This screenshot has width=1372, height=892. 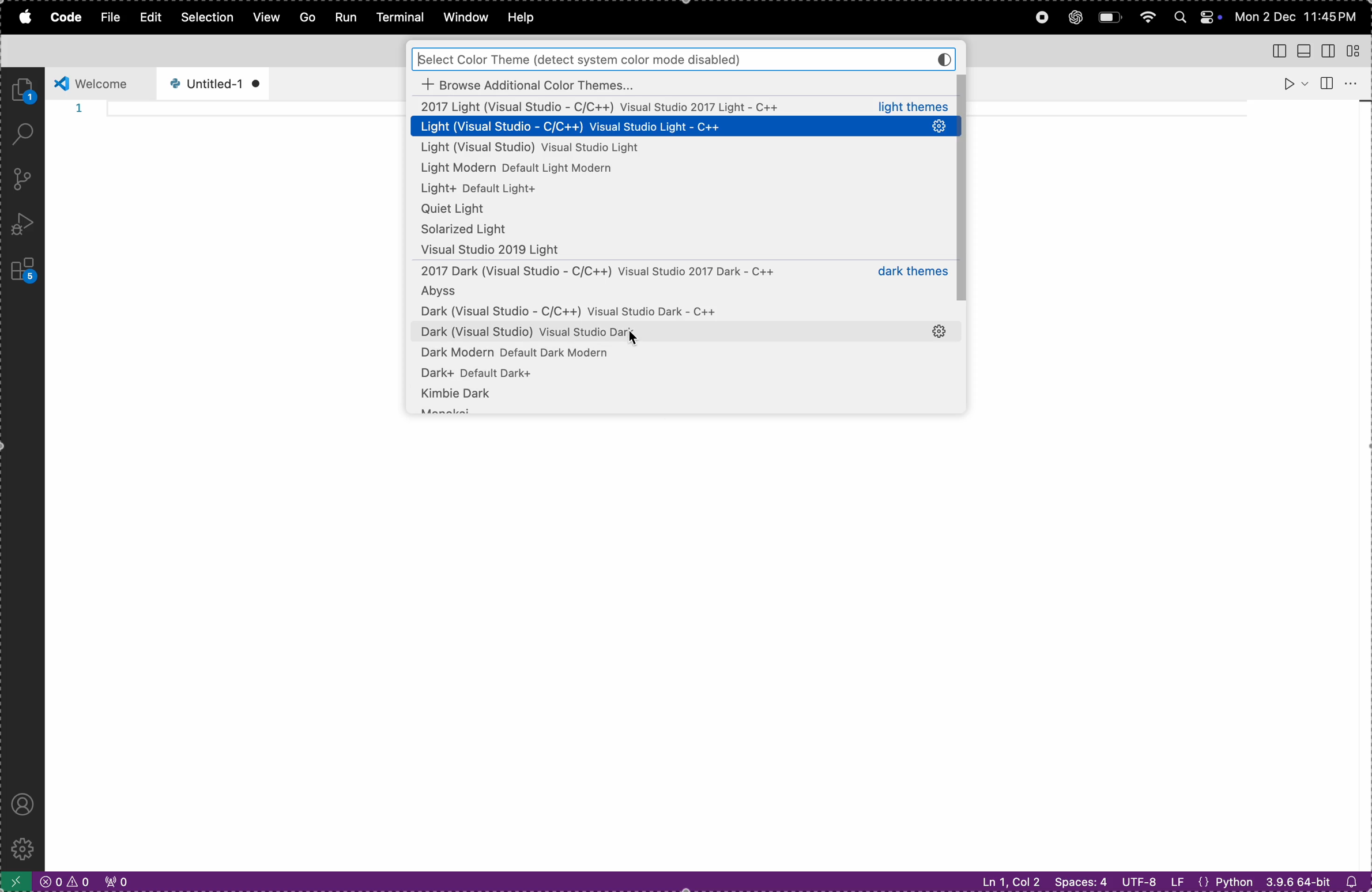 What do you see at coordinates (683, 58) in the screenshot?
I see `Select color theme` at bounding box center [683, 58].